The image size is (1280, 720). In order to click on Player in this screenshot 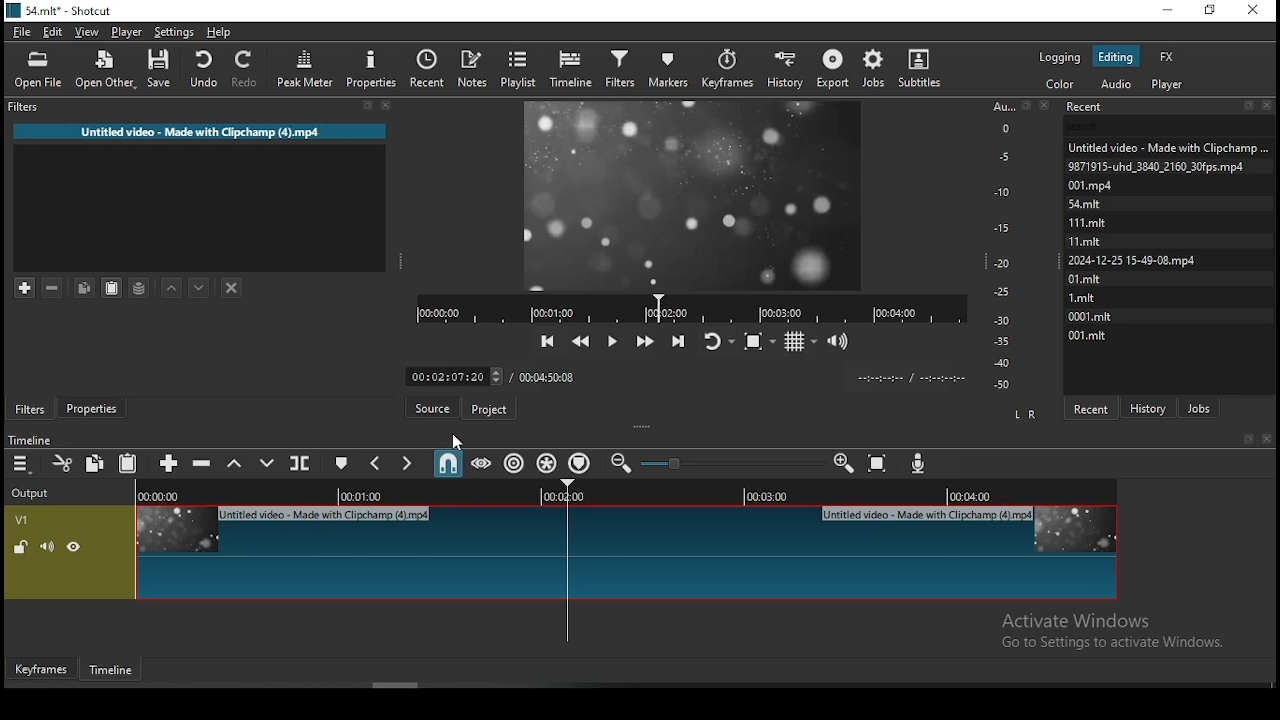, I will do `click(1170, 82)`.